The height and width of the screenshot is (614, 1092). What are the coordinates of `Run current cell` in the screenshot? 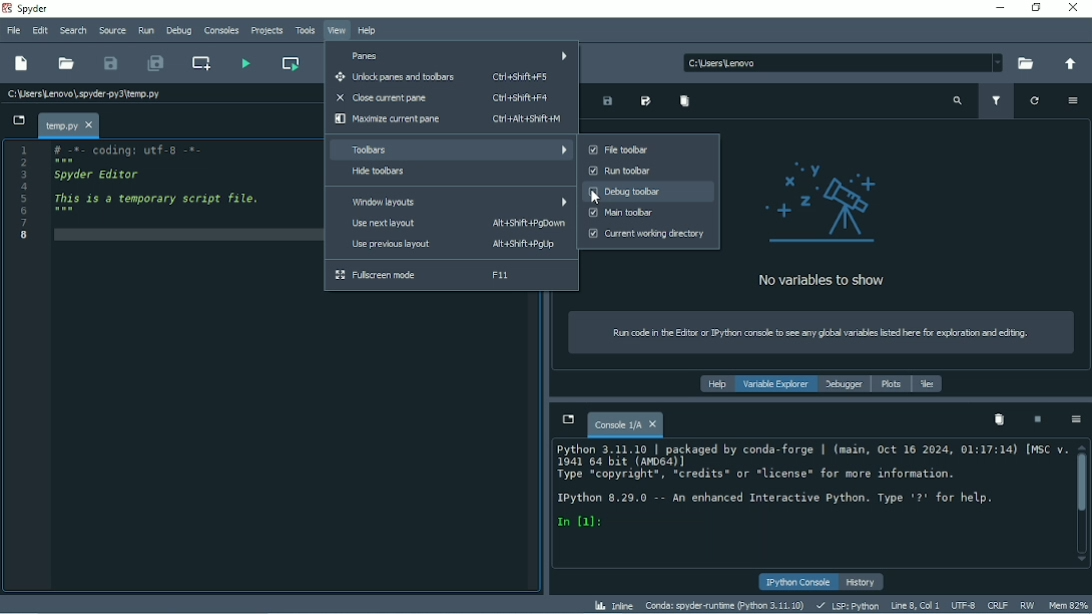 It's located at (292, 63).